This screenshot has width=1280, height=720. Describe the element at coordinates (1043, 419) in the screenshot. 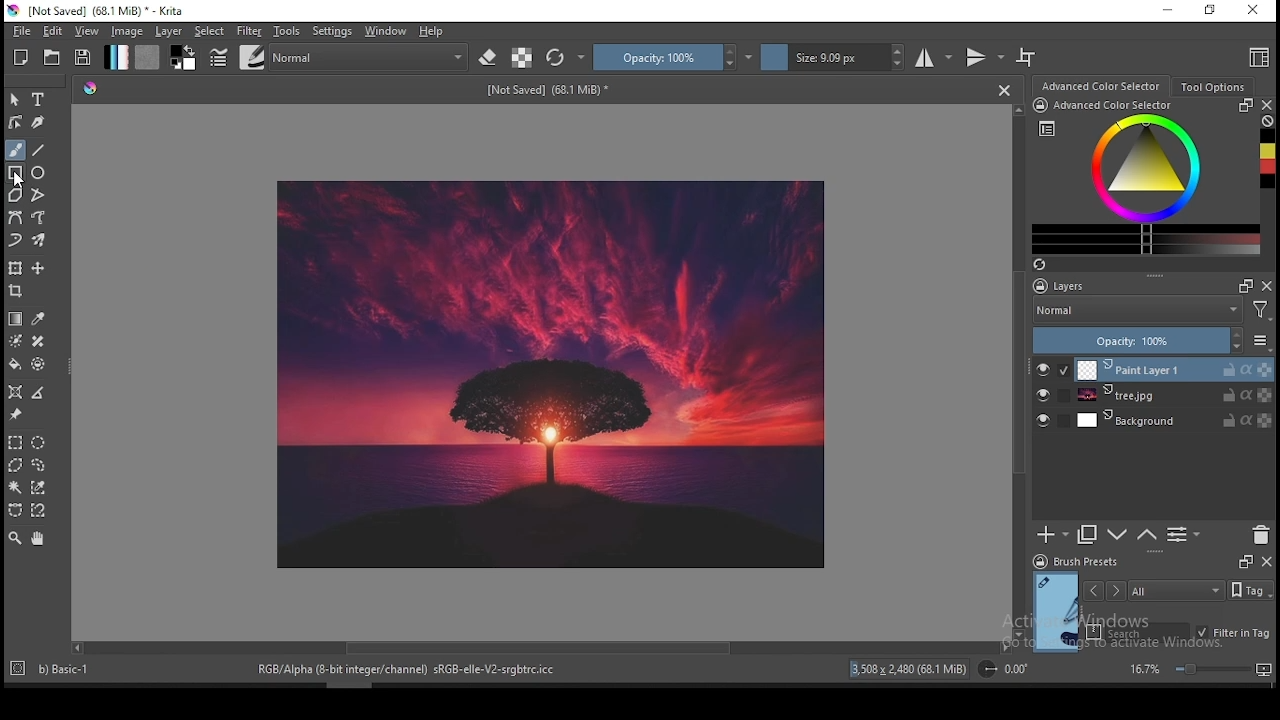

I see `layer visibility on/off` at that location.